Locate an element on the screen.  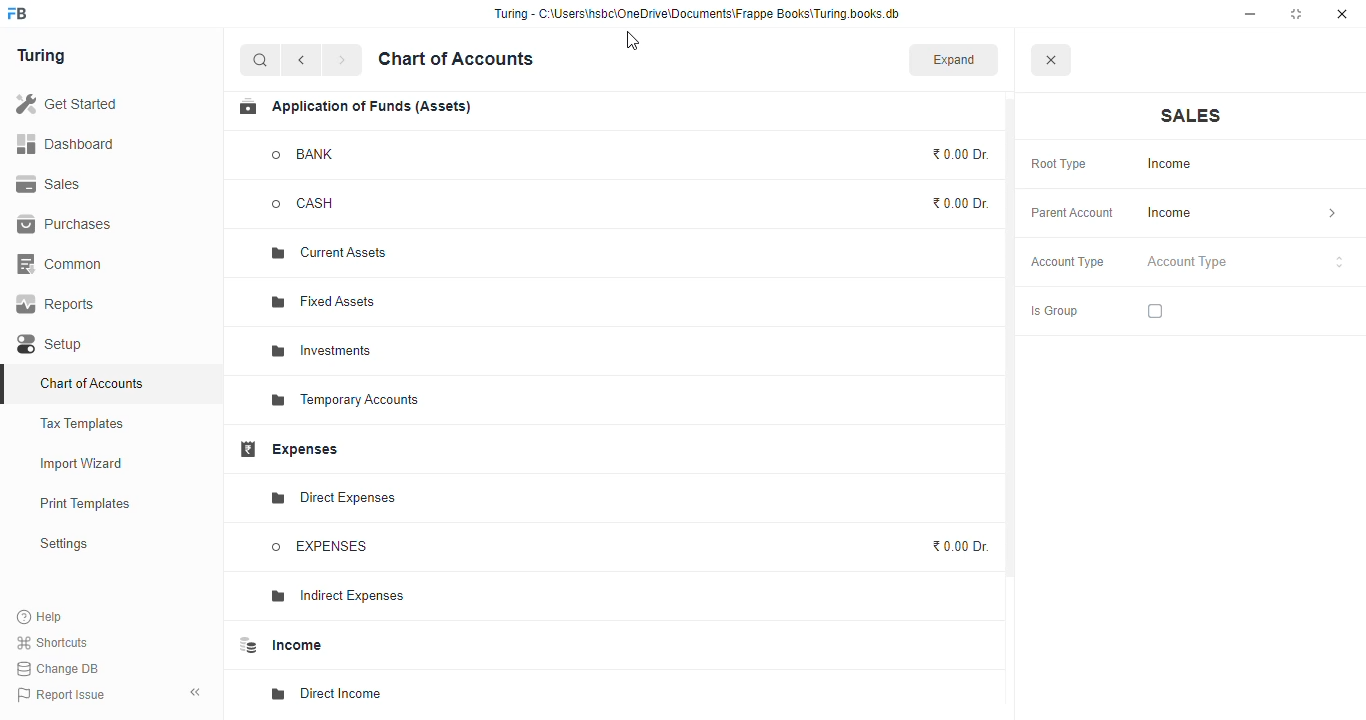
expand is located at coordinates (954, 59).